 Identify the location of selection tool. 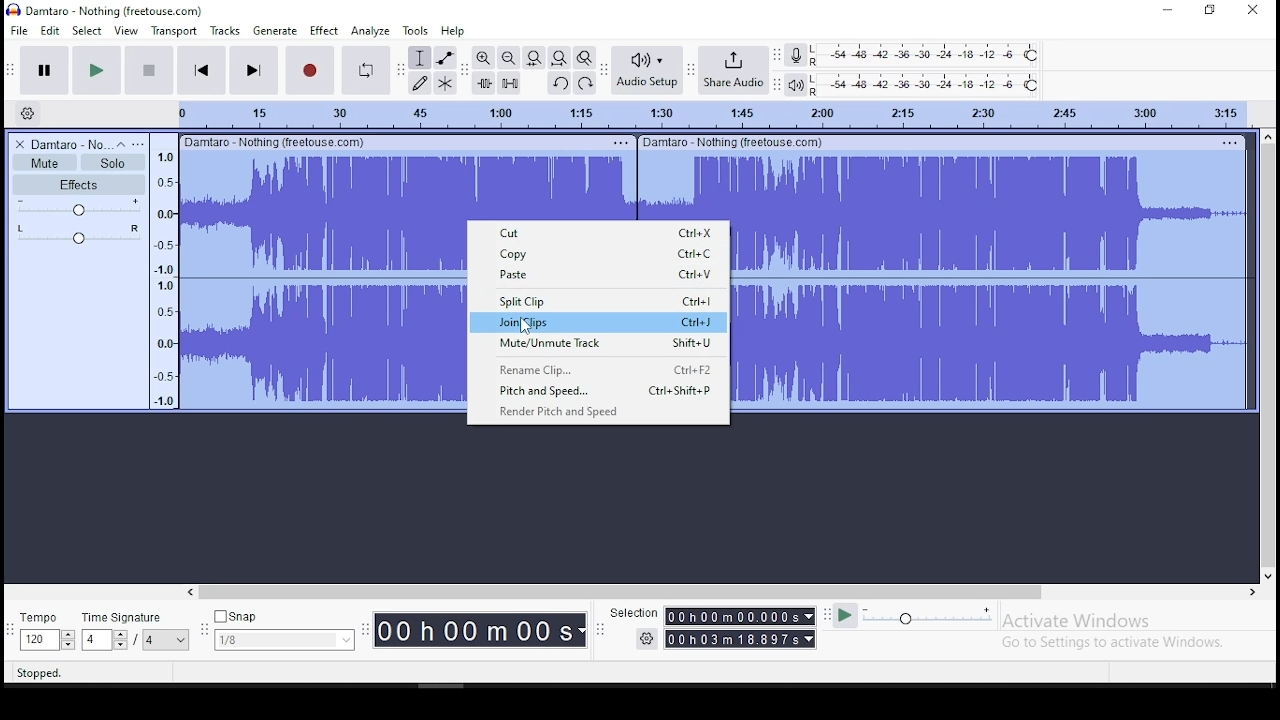
(419, 58).